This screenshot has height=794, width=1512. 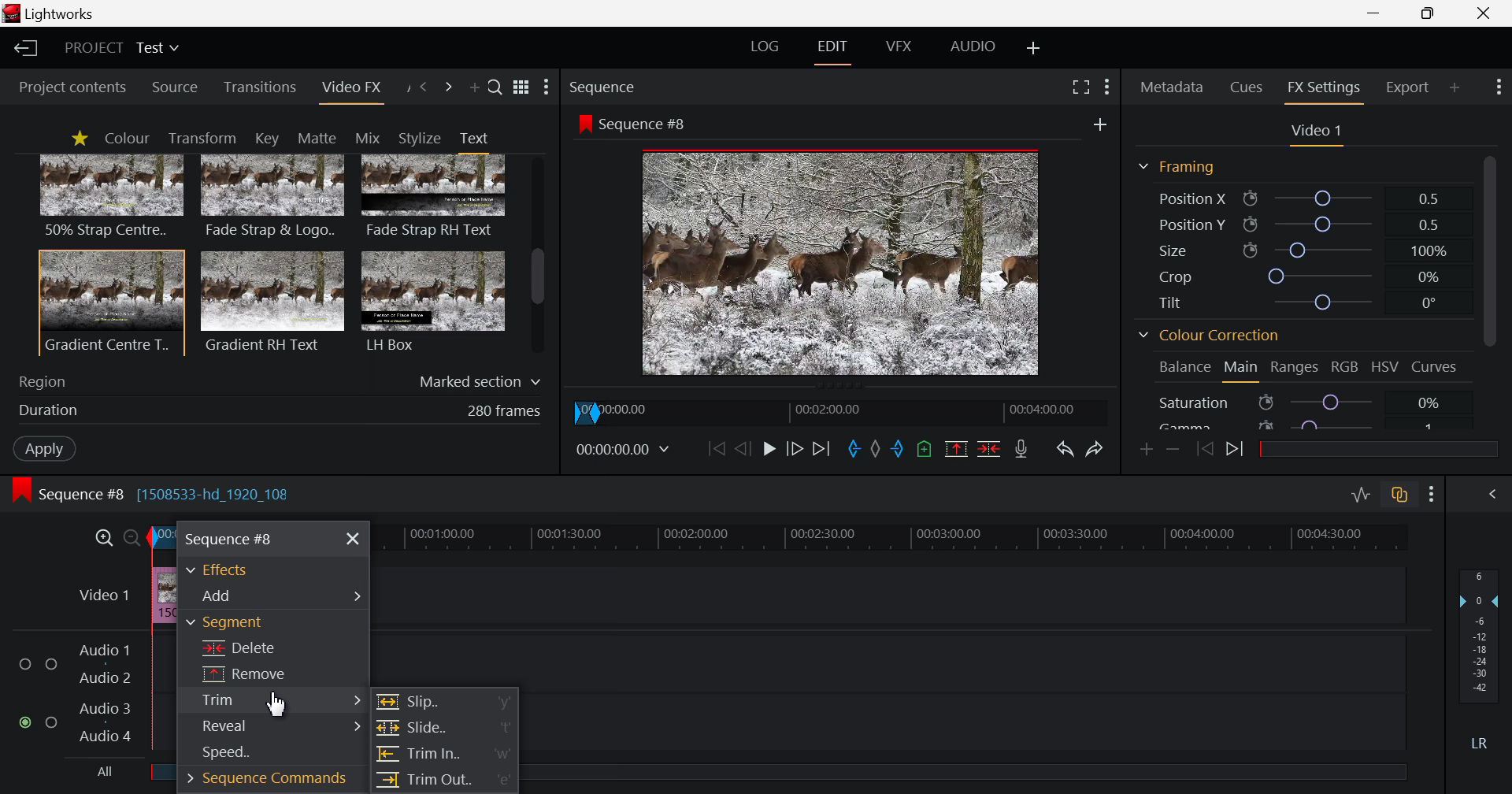 What do you see at coordinates (206, 139) in the screenshot?
I see `Transform` at bounding box center [206, 139].